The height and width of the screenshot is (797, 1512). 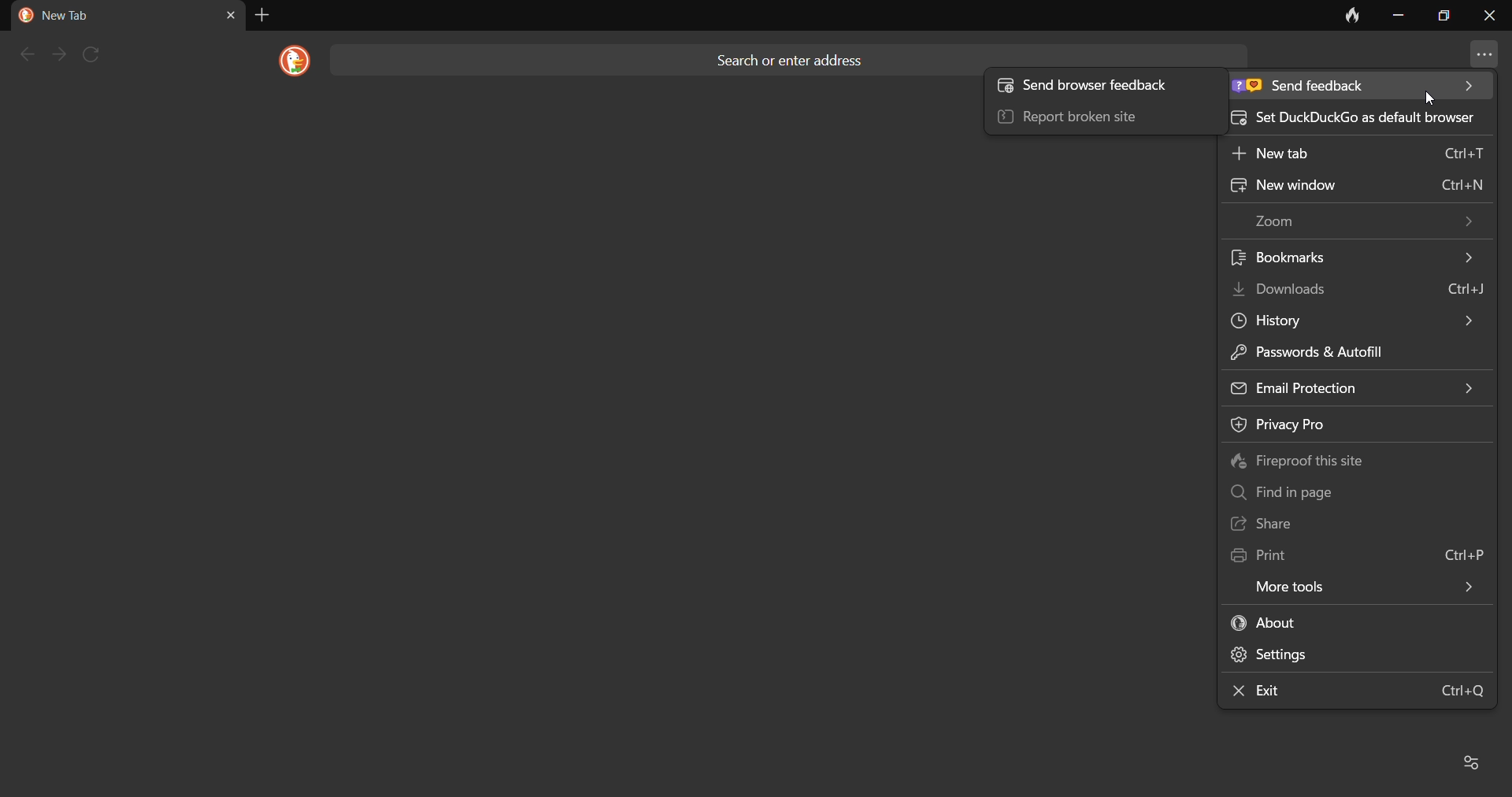 I want to click on print, so click(x=1359, y=551).